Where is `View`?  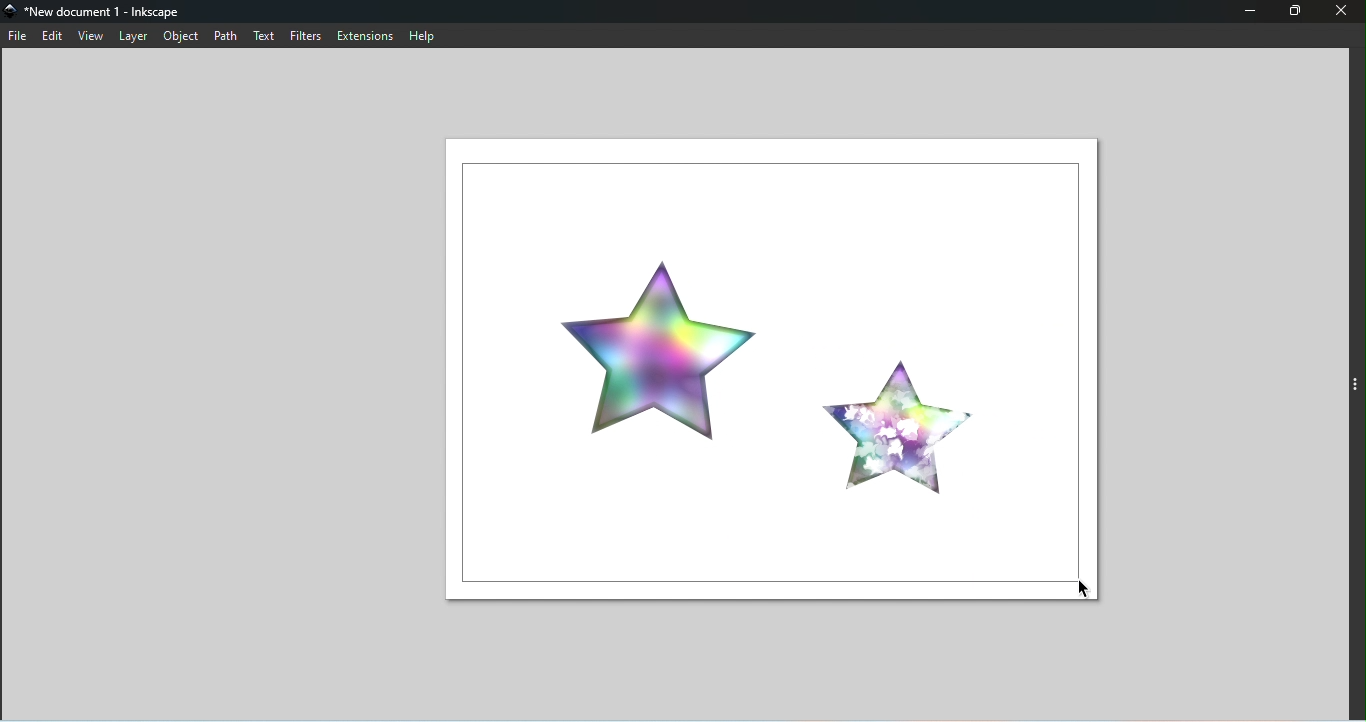 View is located at coordinates (91, 36).